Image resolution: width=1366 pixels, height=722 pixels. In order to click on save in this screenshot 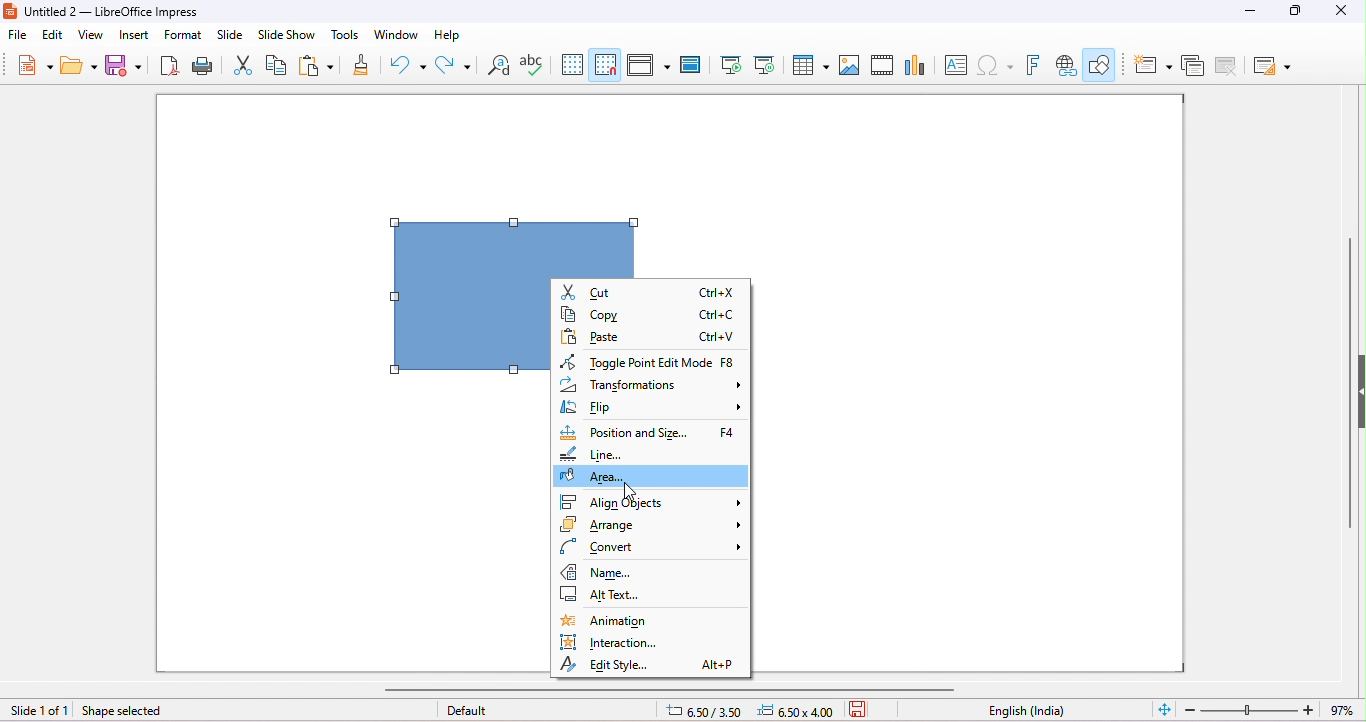, I will do `click(121, 64)`.